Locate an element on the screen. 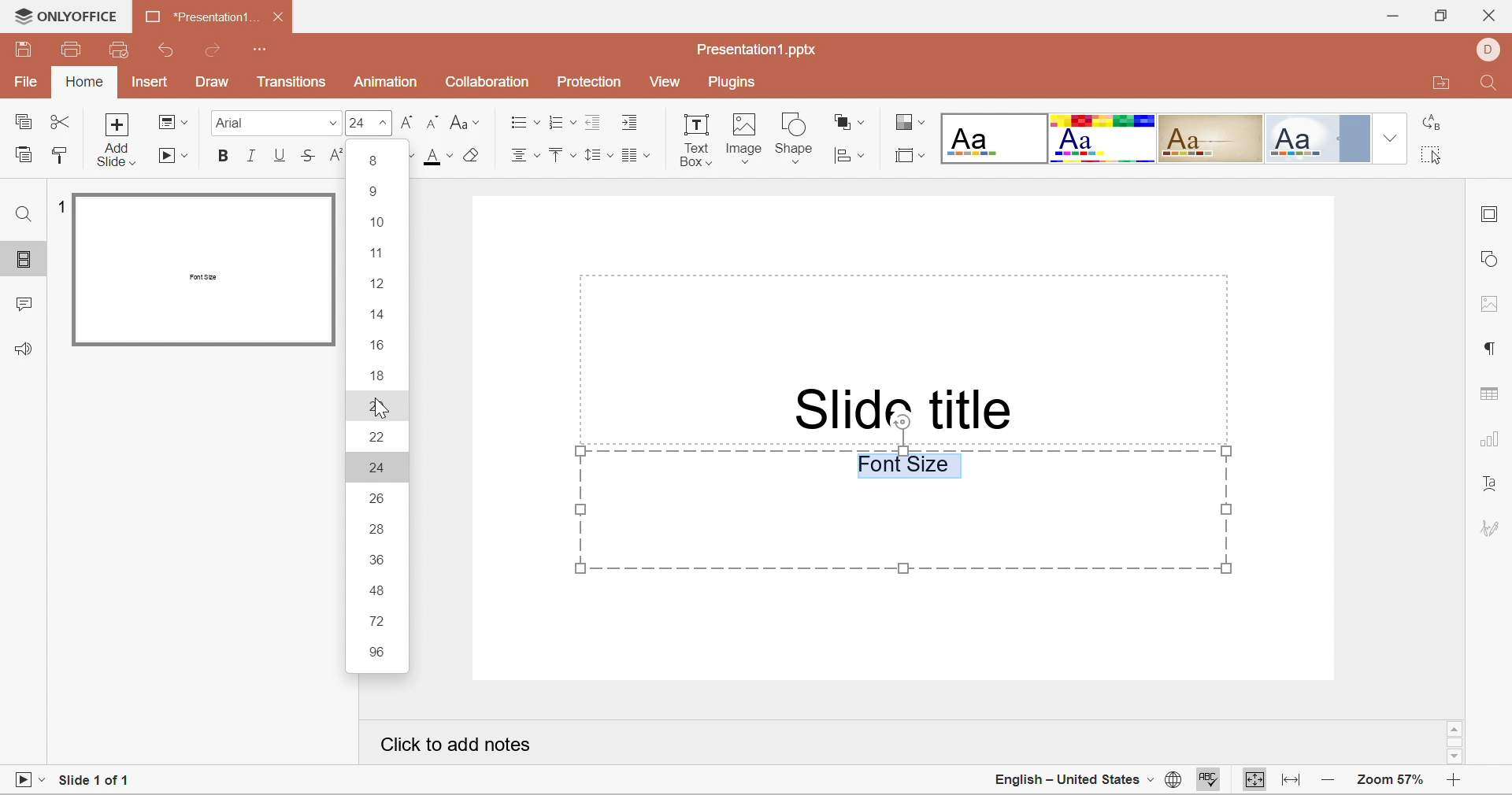 This screenshot has width=1512, height=795. Bold is located at coordinates (224, 156).